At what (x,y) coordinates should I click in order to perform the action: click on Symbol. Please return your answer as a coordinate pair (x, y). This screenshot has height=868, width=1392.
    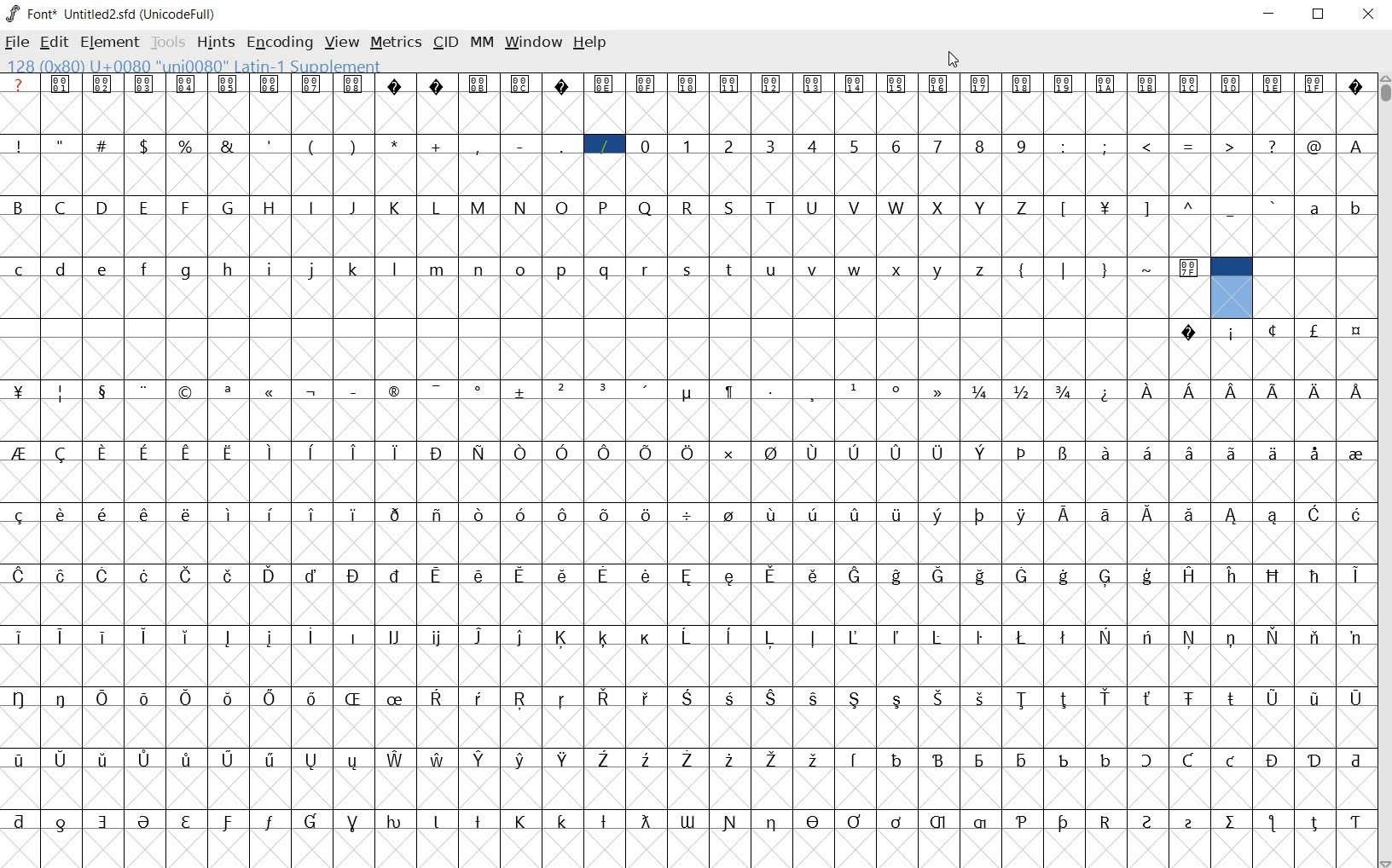
    Looking at the image, I should click on (19, 516).